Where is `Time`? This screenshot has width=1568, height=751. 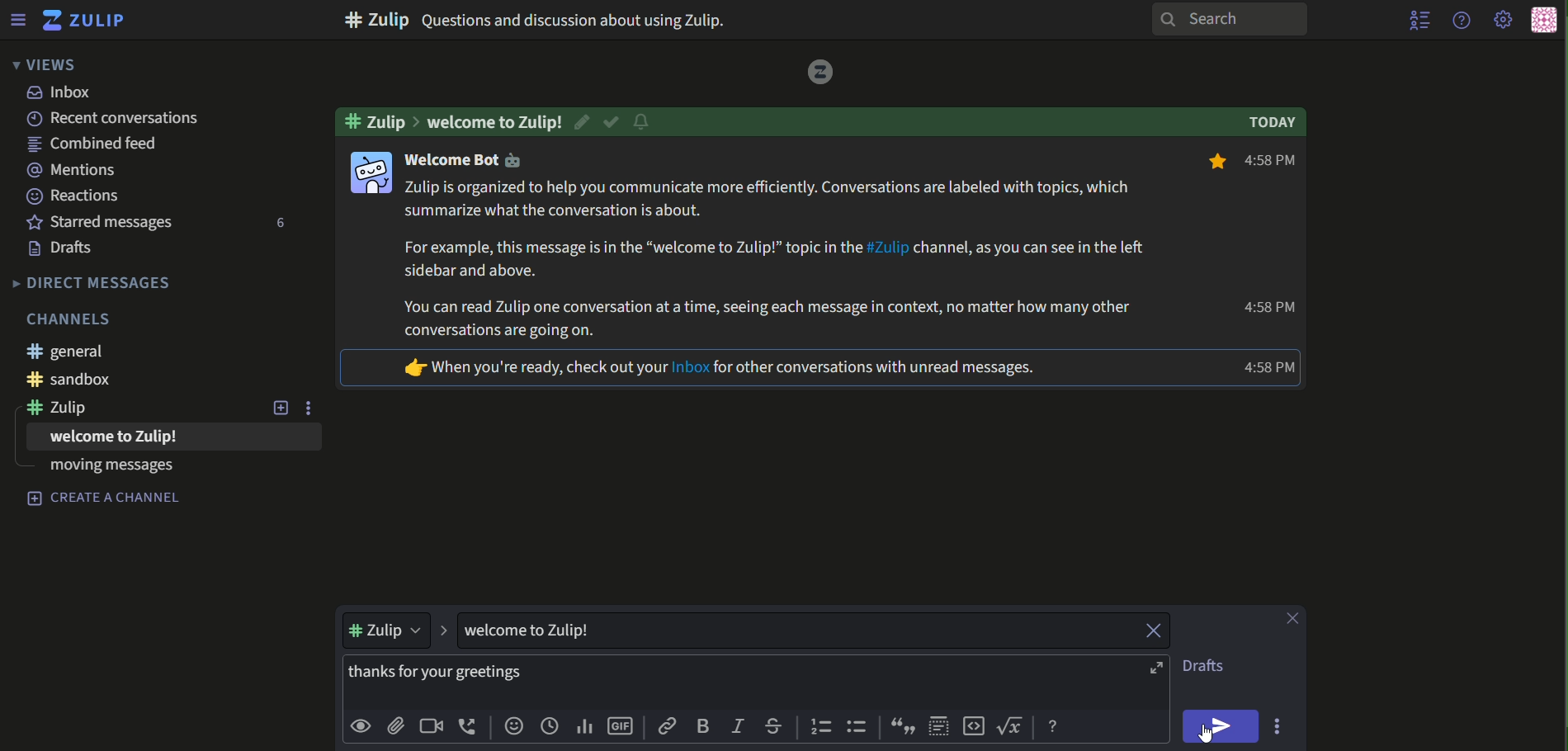
Time is located at coordinates (1272, 367).